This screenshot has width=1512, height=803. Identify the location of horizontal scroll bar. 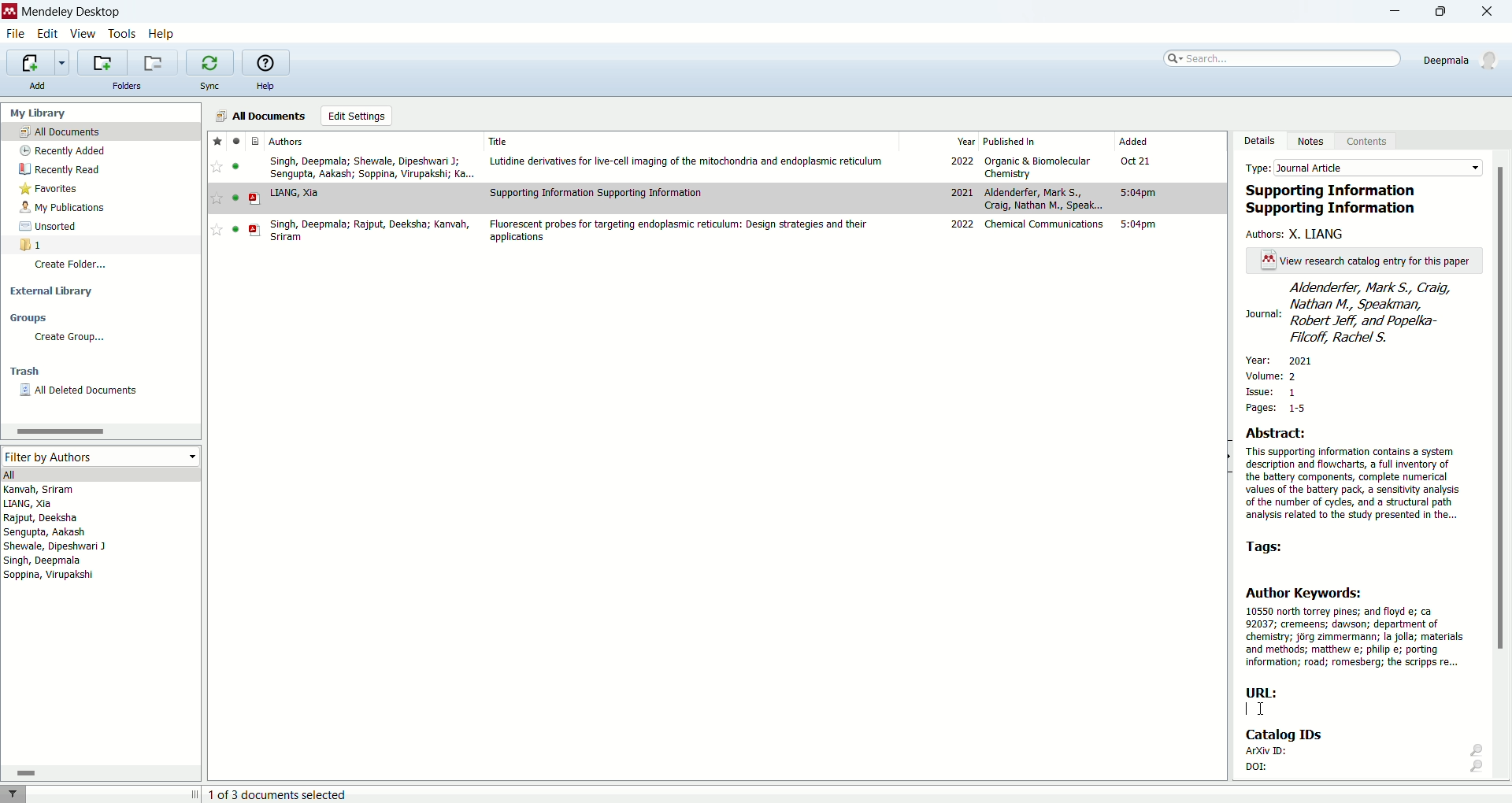
(99, 431).